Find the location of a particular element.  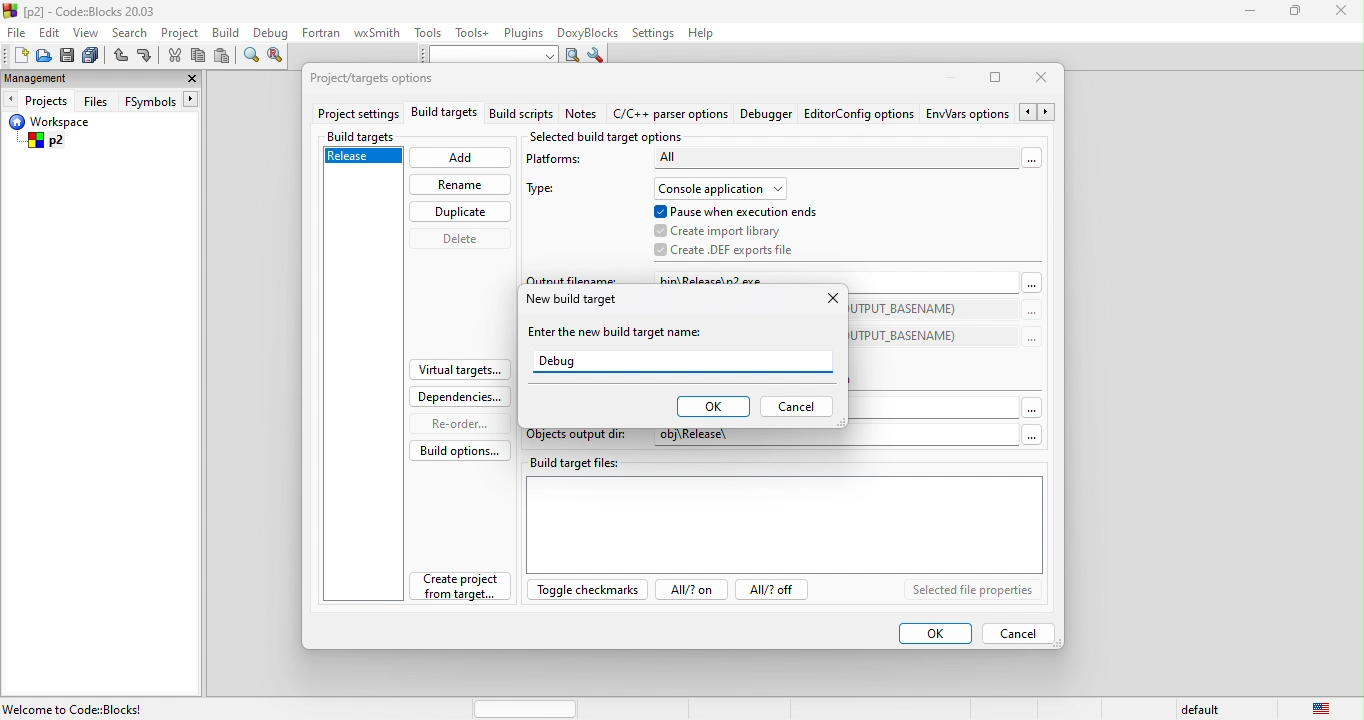

editor config option is located at coordinates (862, 112).